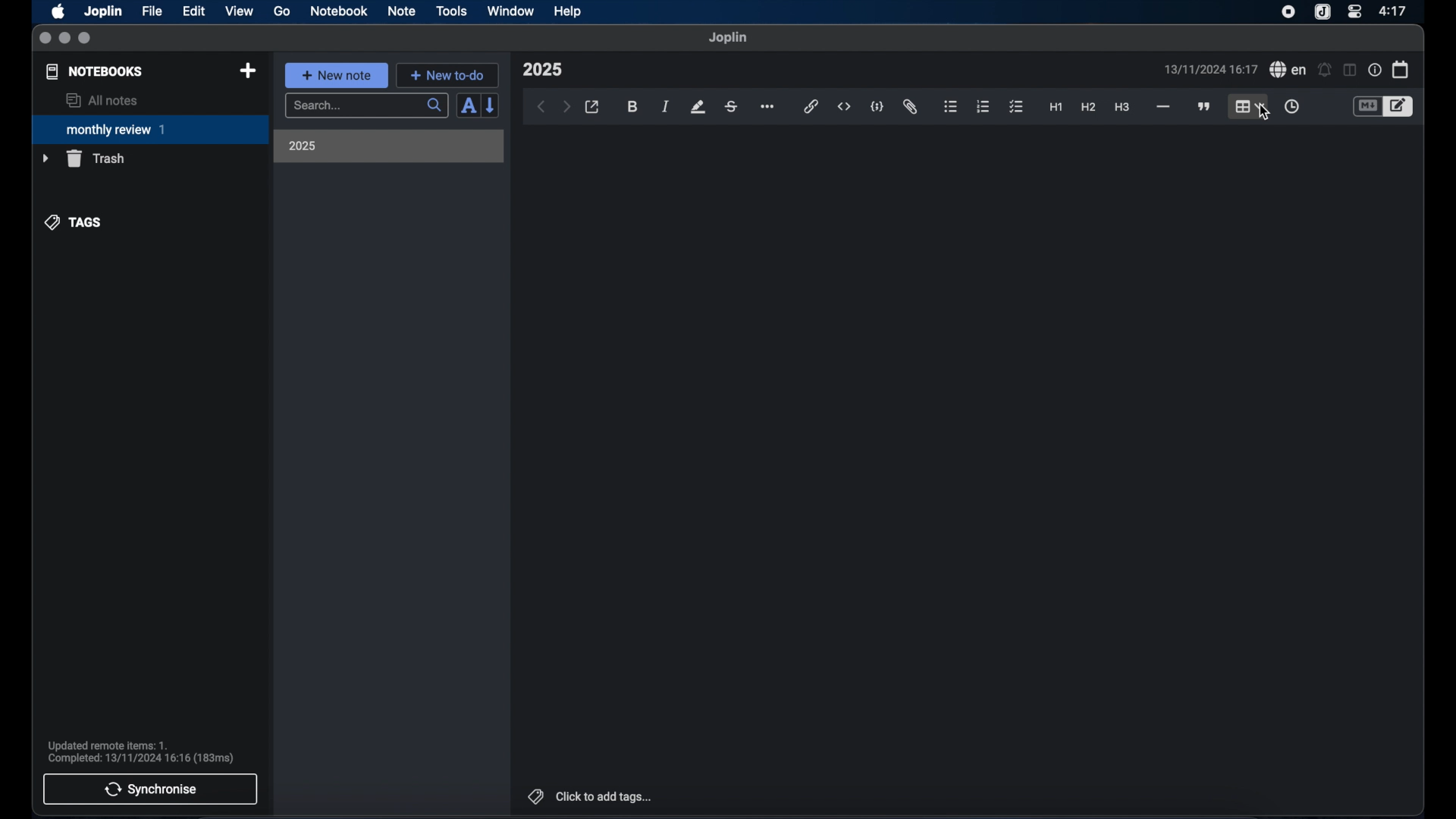 The image size is (1456, 819). I want to click on minimize, so click(64, 39).